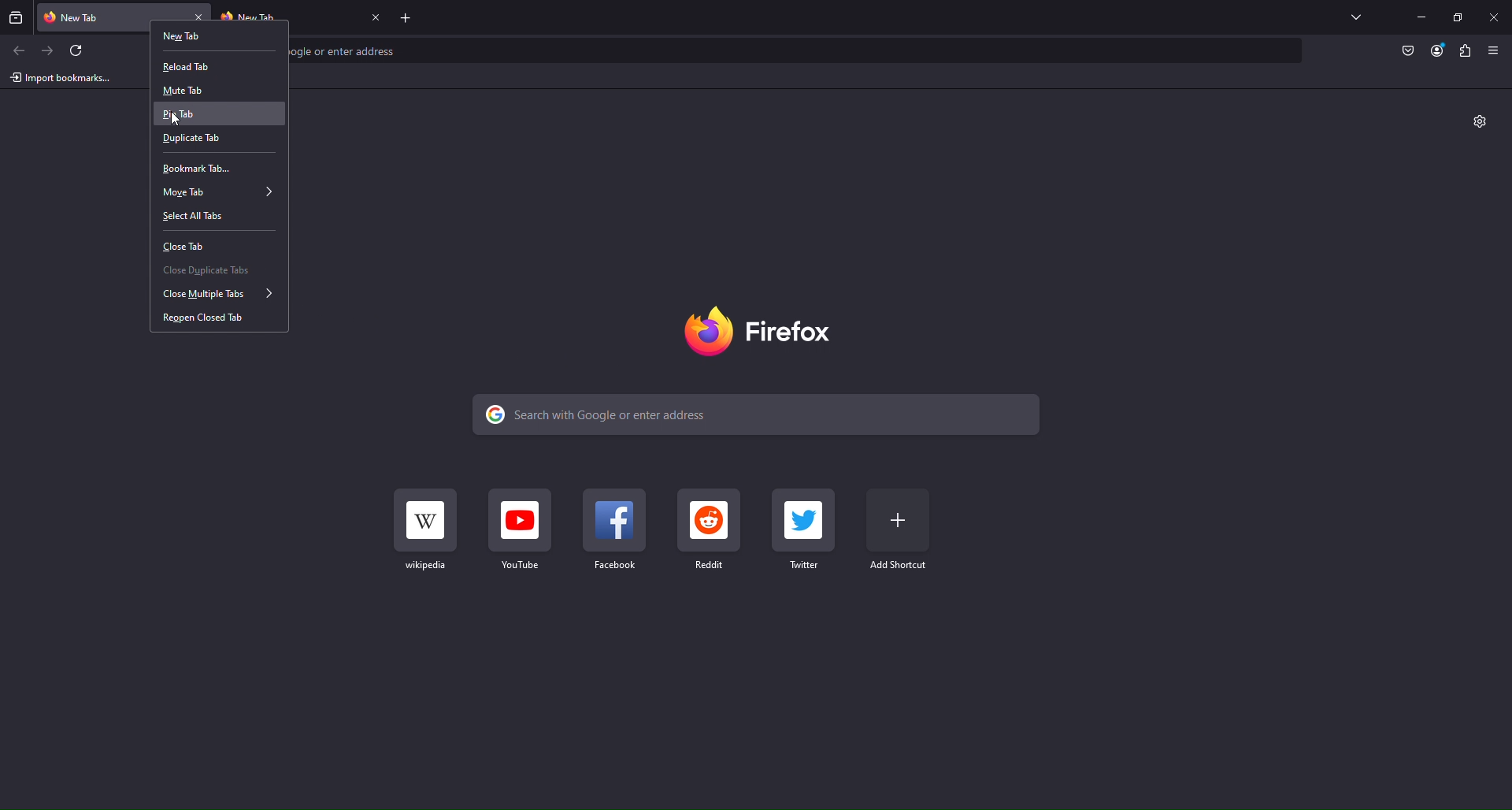 The width and height of the screenshot is (1512, 810). What do you see at coordinates (1493, 18) in the screenshot?
I see `Close` at bounding box center [1493, 18].